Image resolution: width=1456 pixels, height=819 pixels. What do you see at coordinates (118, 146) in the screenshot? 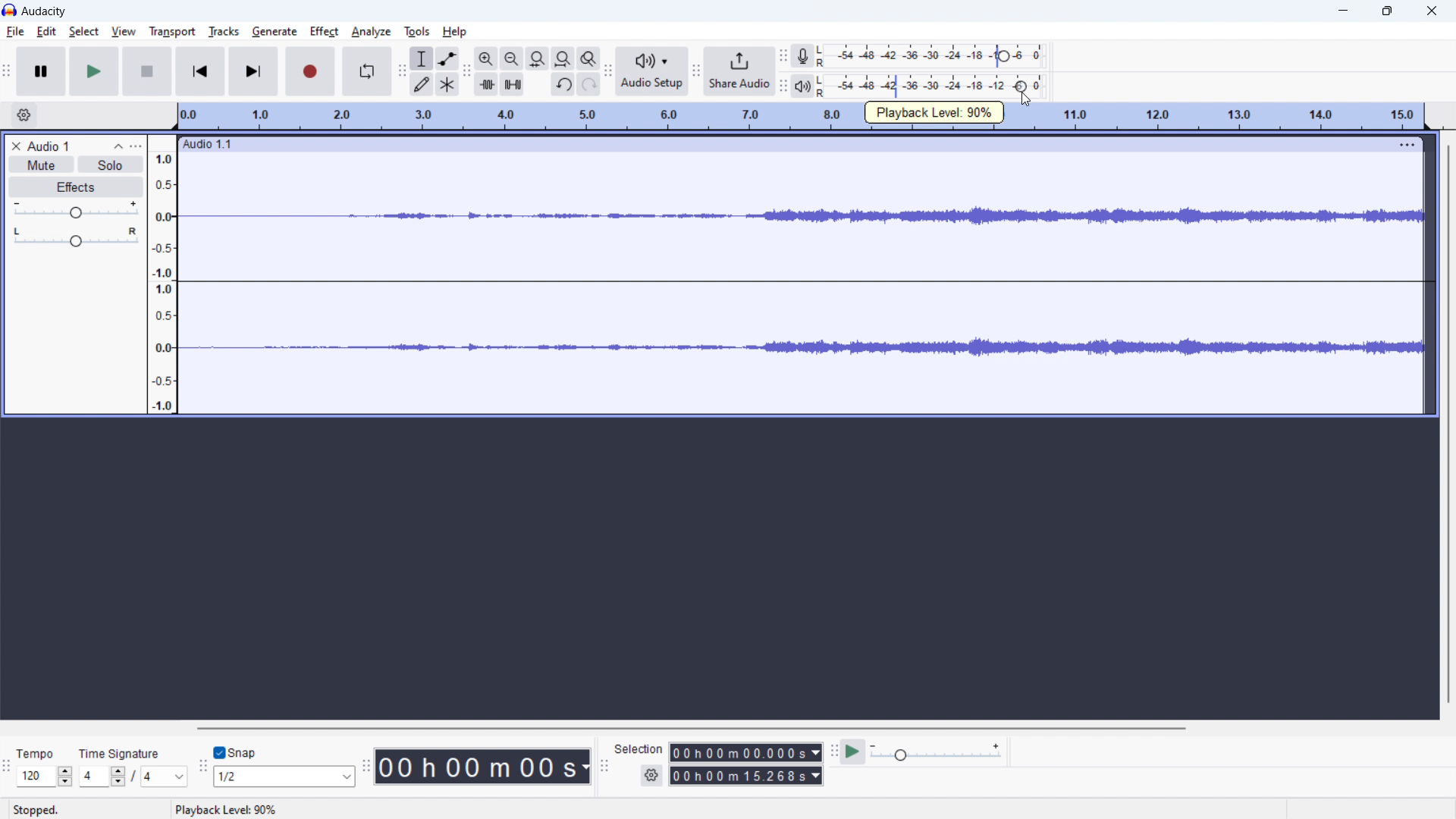
I see `collapse` at bounding box center [118, 146].